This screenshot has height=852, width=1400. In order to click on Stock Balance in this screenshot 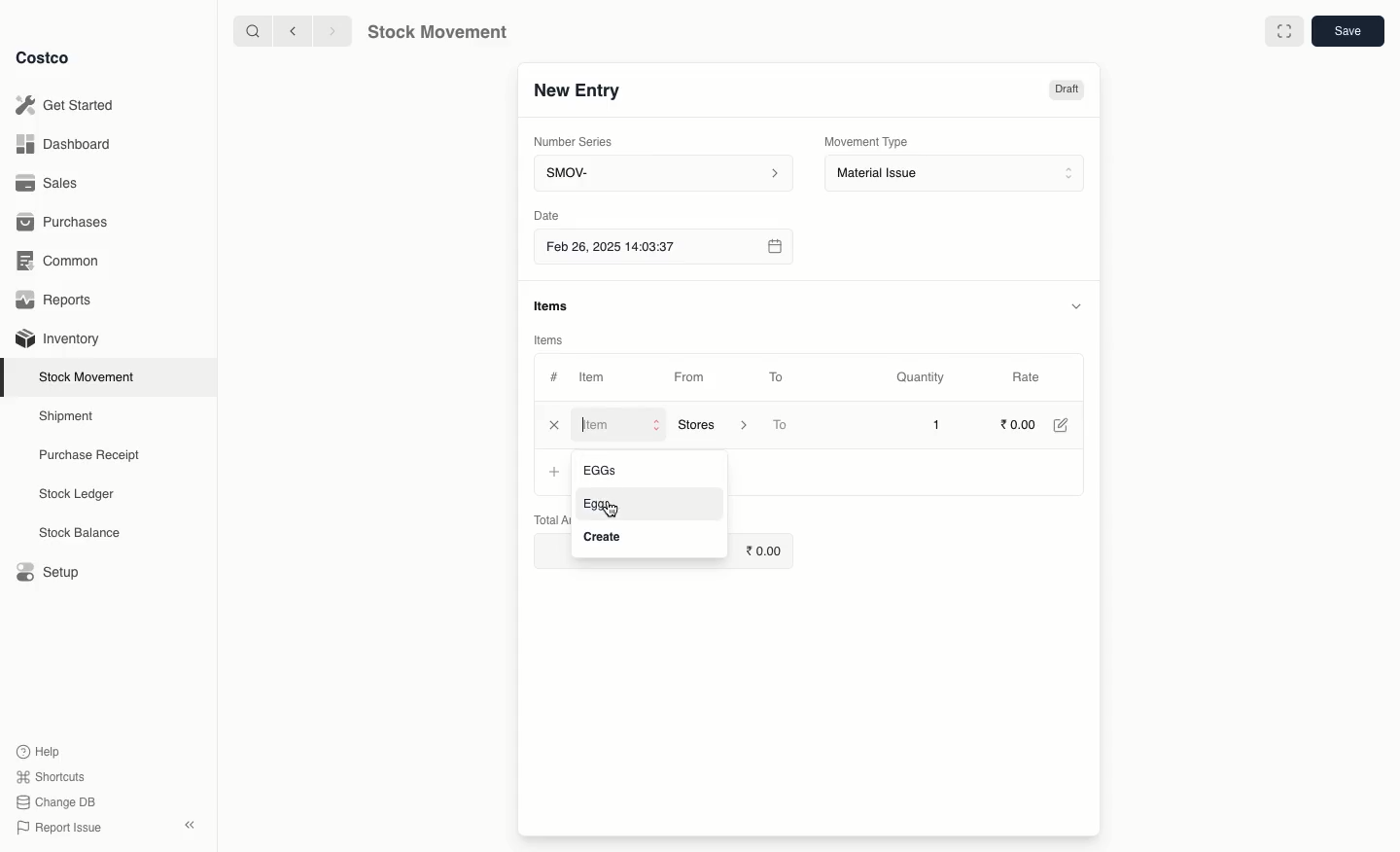, I will do `click(82, 533)`.